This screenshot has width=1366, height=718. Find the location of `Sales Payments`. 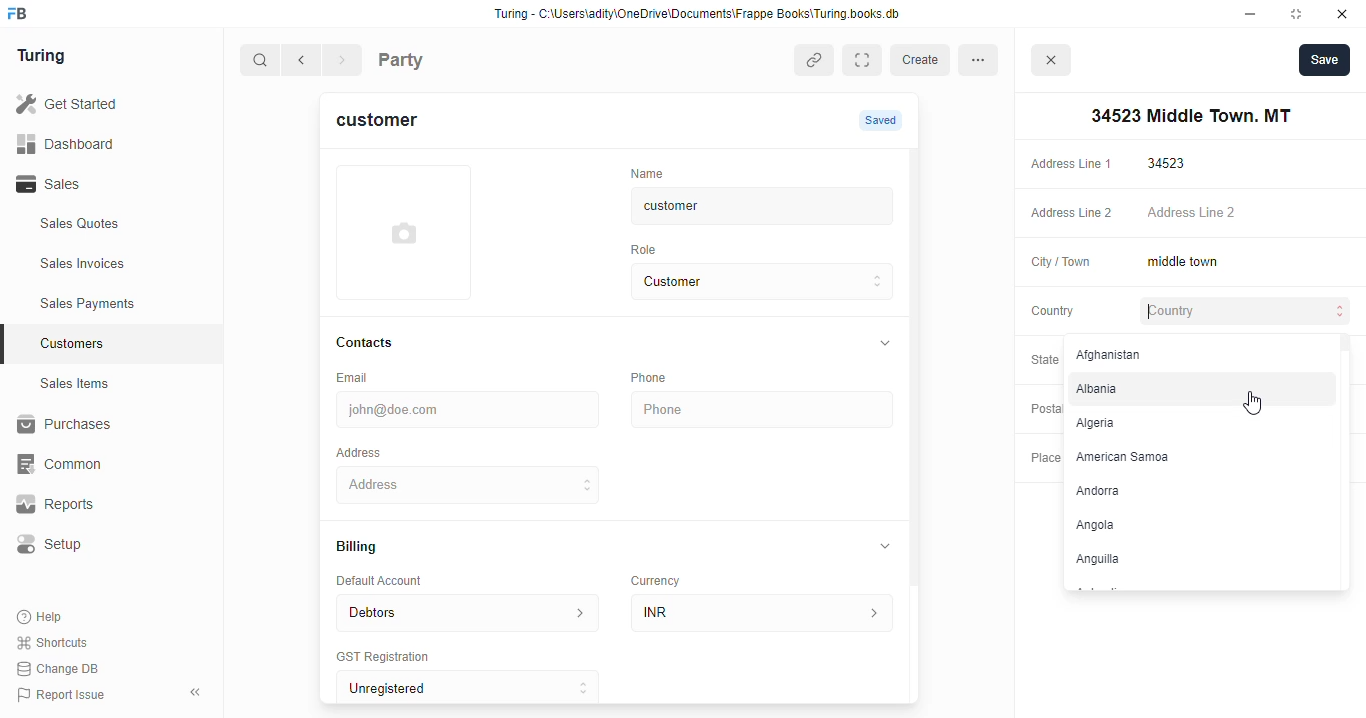

Sales Payments is located at coordinates (118, 304).